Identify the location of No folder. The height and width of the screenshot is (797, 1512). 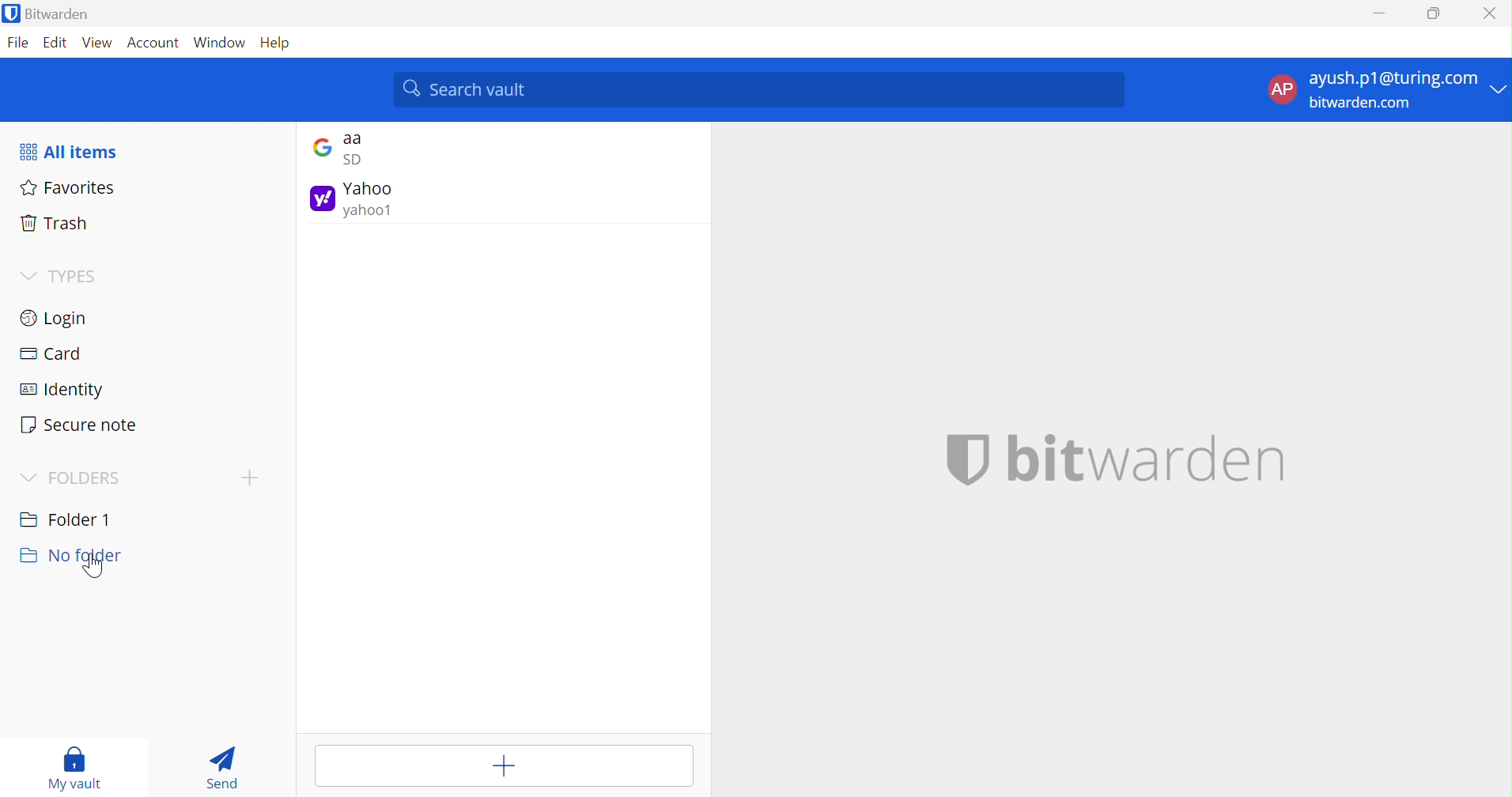
(74, 559).